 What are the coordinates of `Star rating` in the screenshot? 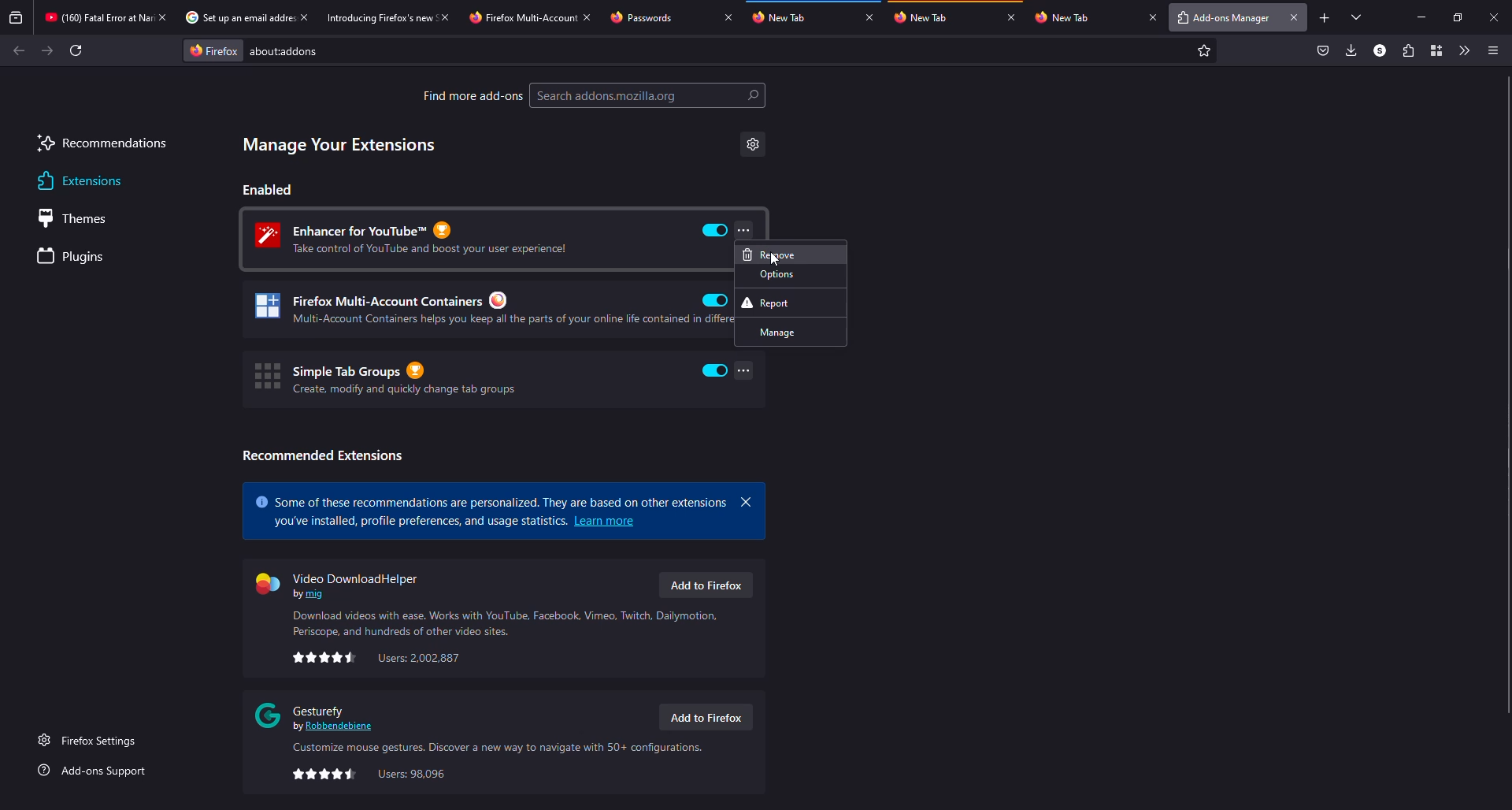 It's located at (324, 775).